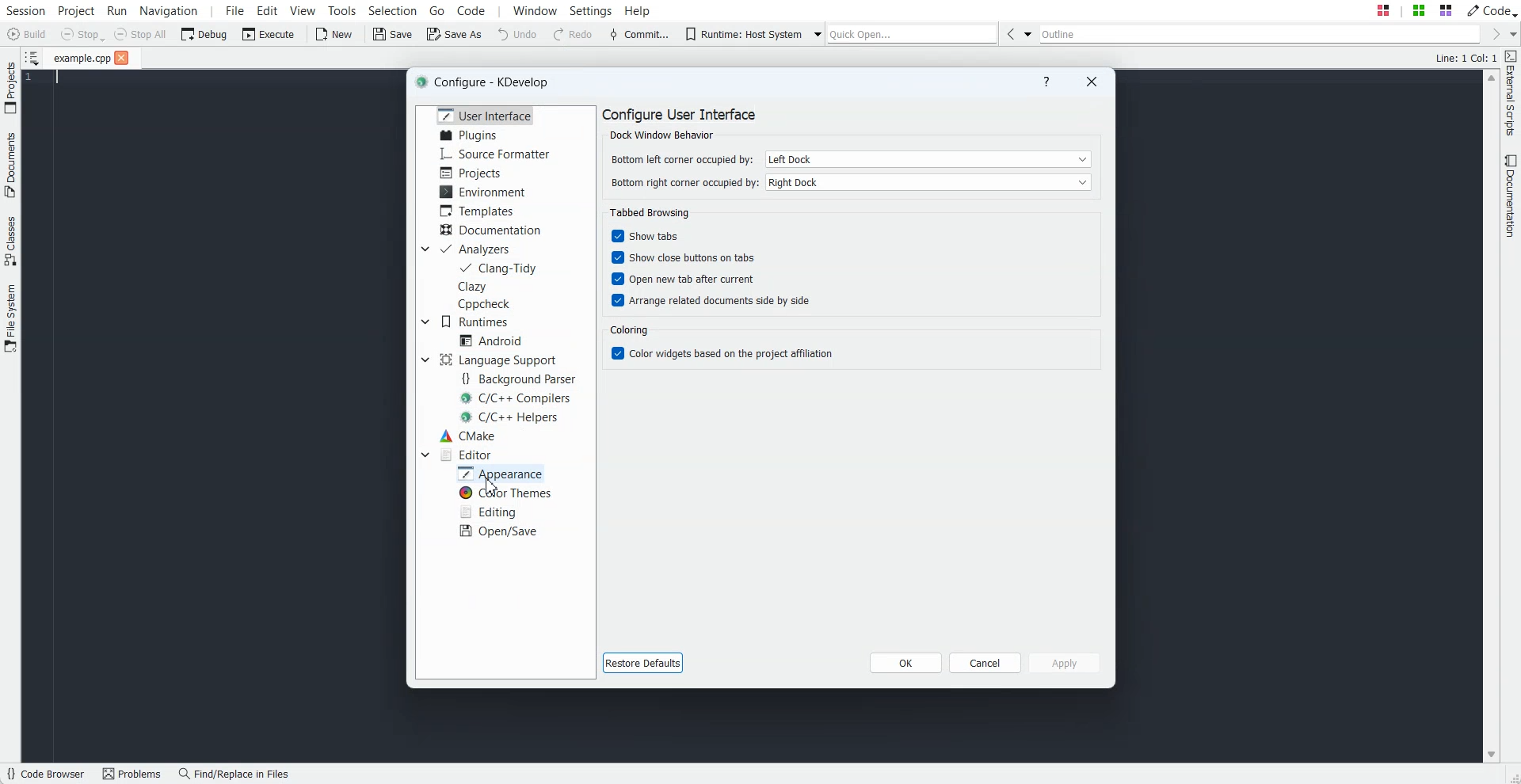  I want to click on Documentation, so click(490, 229).